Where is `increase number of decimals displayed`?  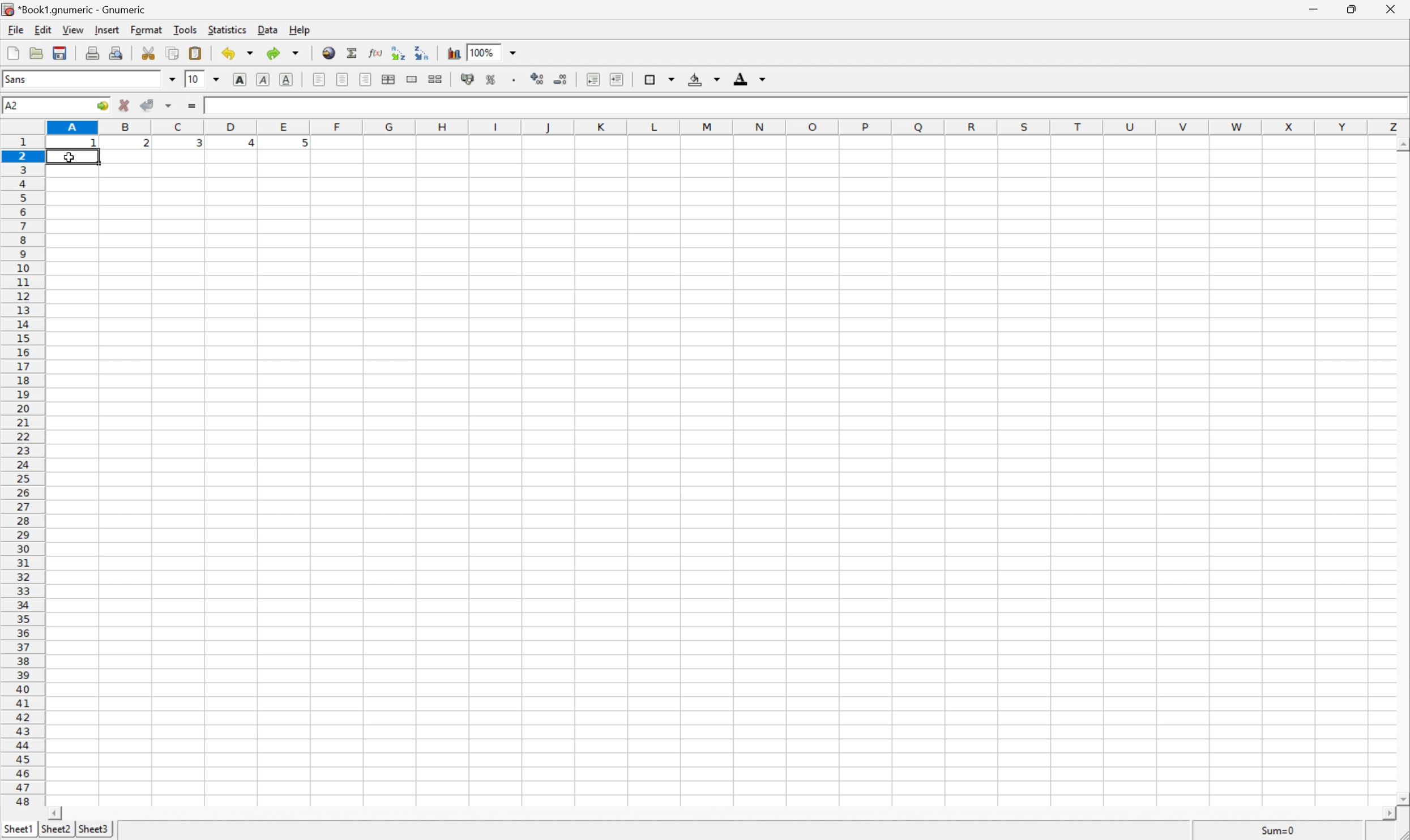
increase number of decimals displayed is located at coordinates (539, 79).